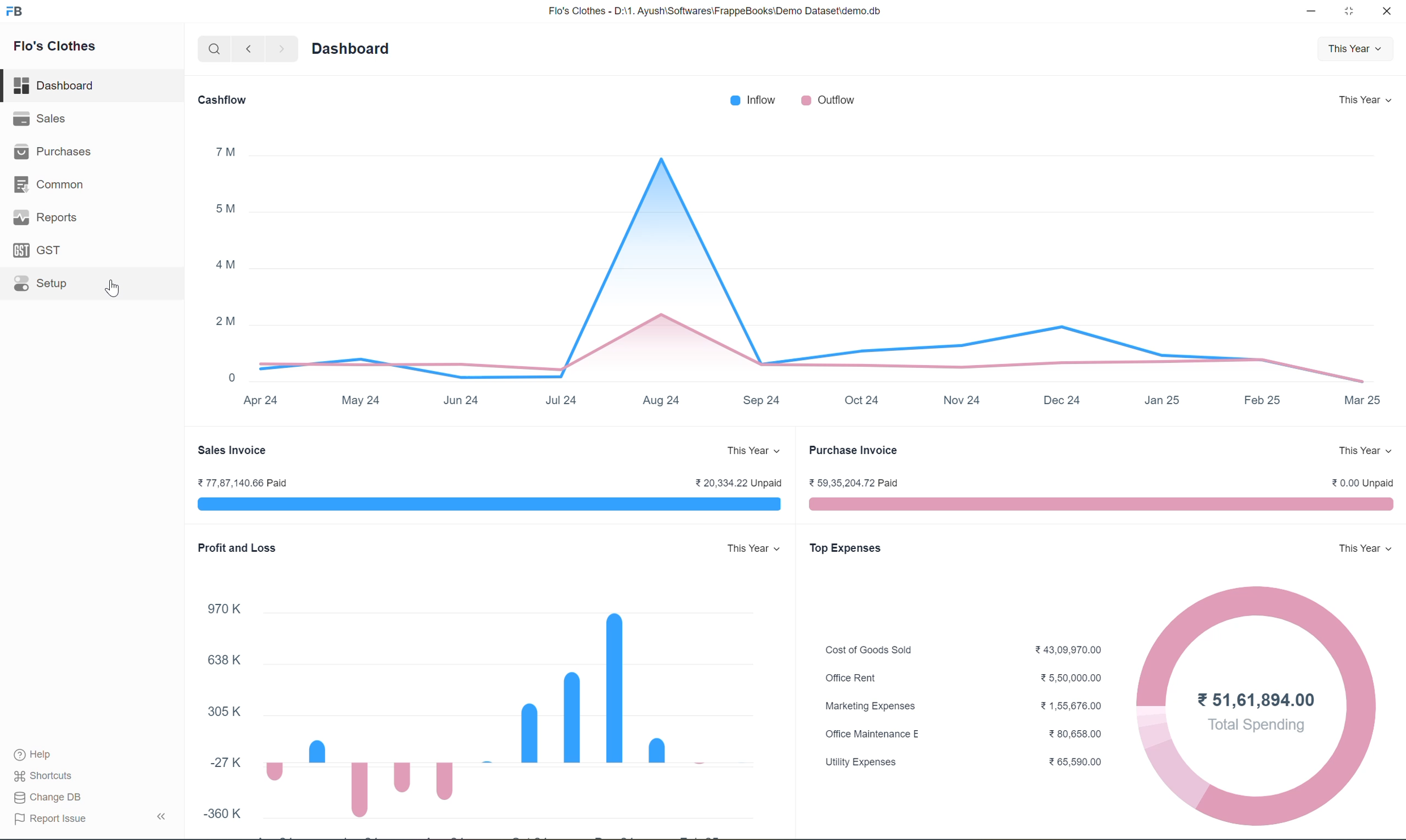 Image resolution: width=1406 pixels, height=840 pixels. I want to click on Feb 25, so click(1261, 399).